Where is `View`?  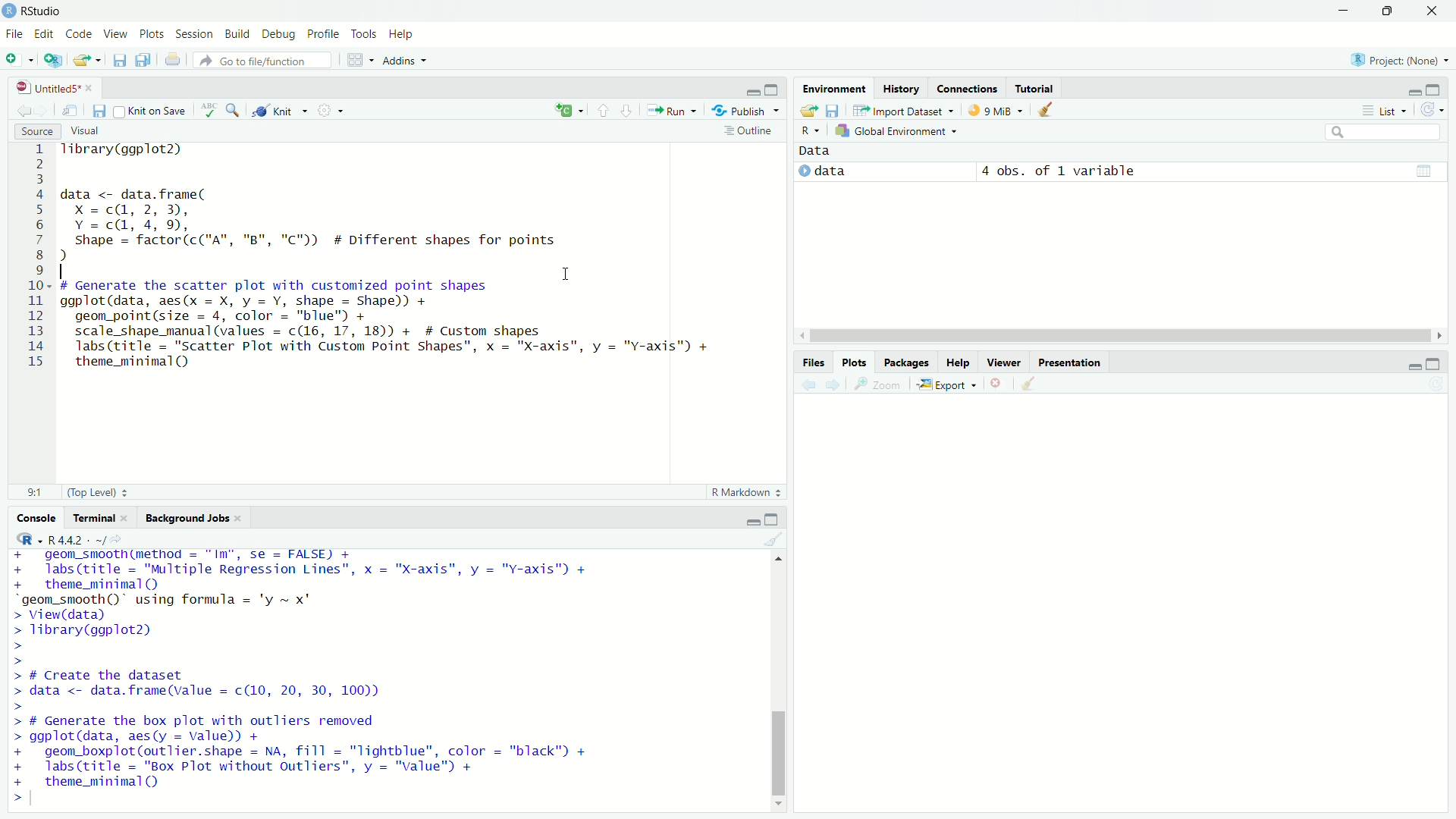 View is located at coordinates (114, 33).